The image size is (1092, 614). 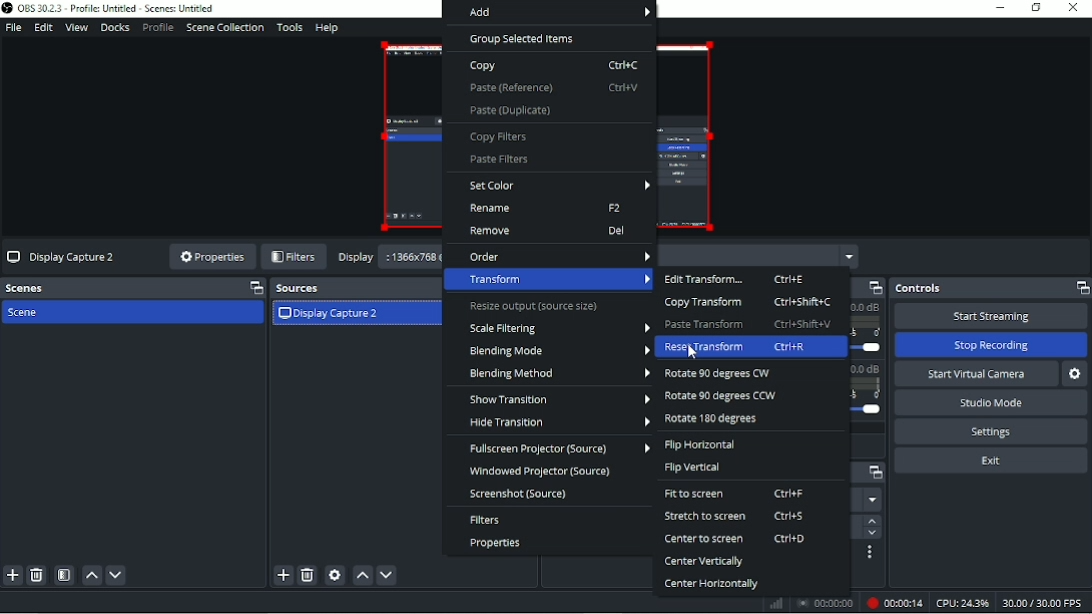 I want to click on OBS 30.2.3 - Profile: Untitled - Scenes: Untitled, so click(x=121, y=8).